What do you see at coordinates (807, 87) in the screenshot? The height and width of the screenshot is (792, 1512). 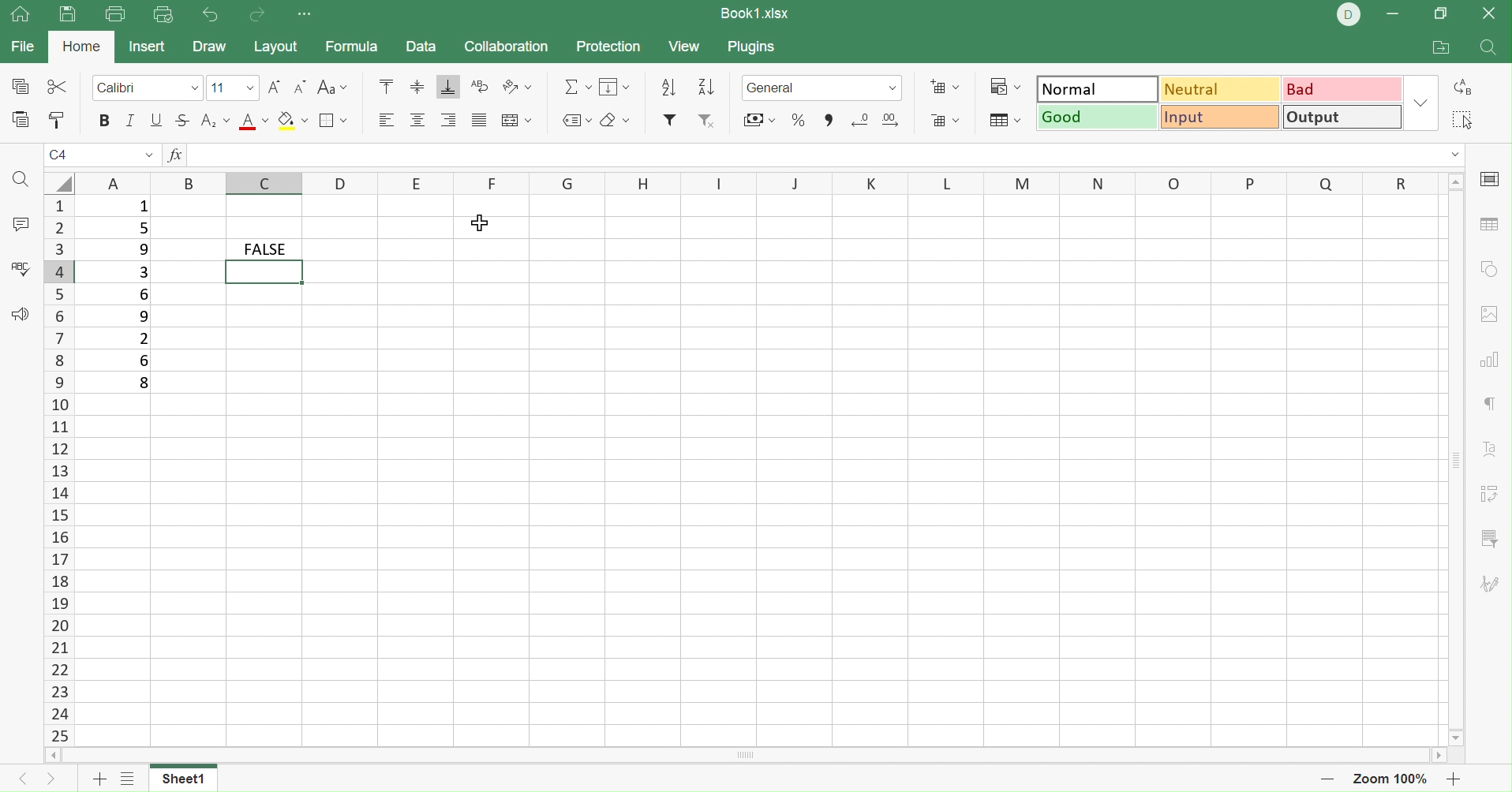 I see `Number format` at bounding box center [807, 87].